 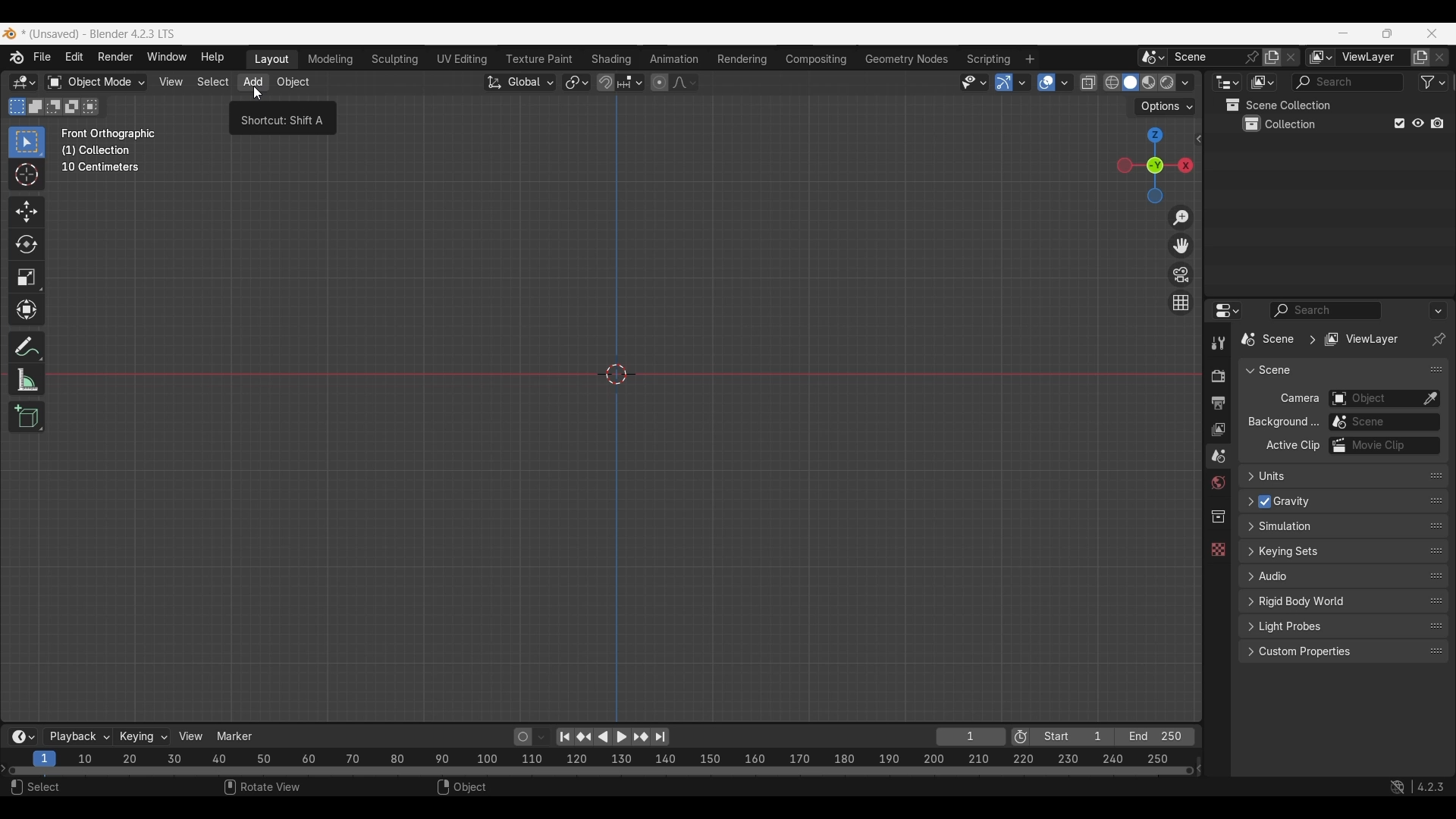 What do you see at coordinates (27, 278) in the screenshot?
I see `Scale` at bounding box center [27, 278].